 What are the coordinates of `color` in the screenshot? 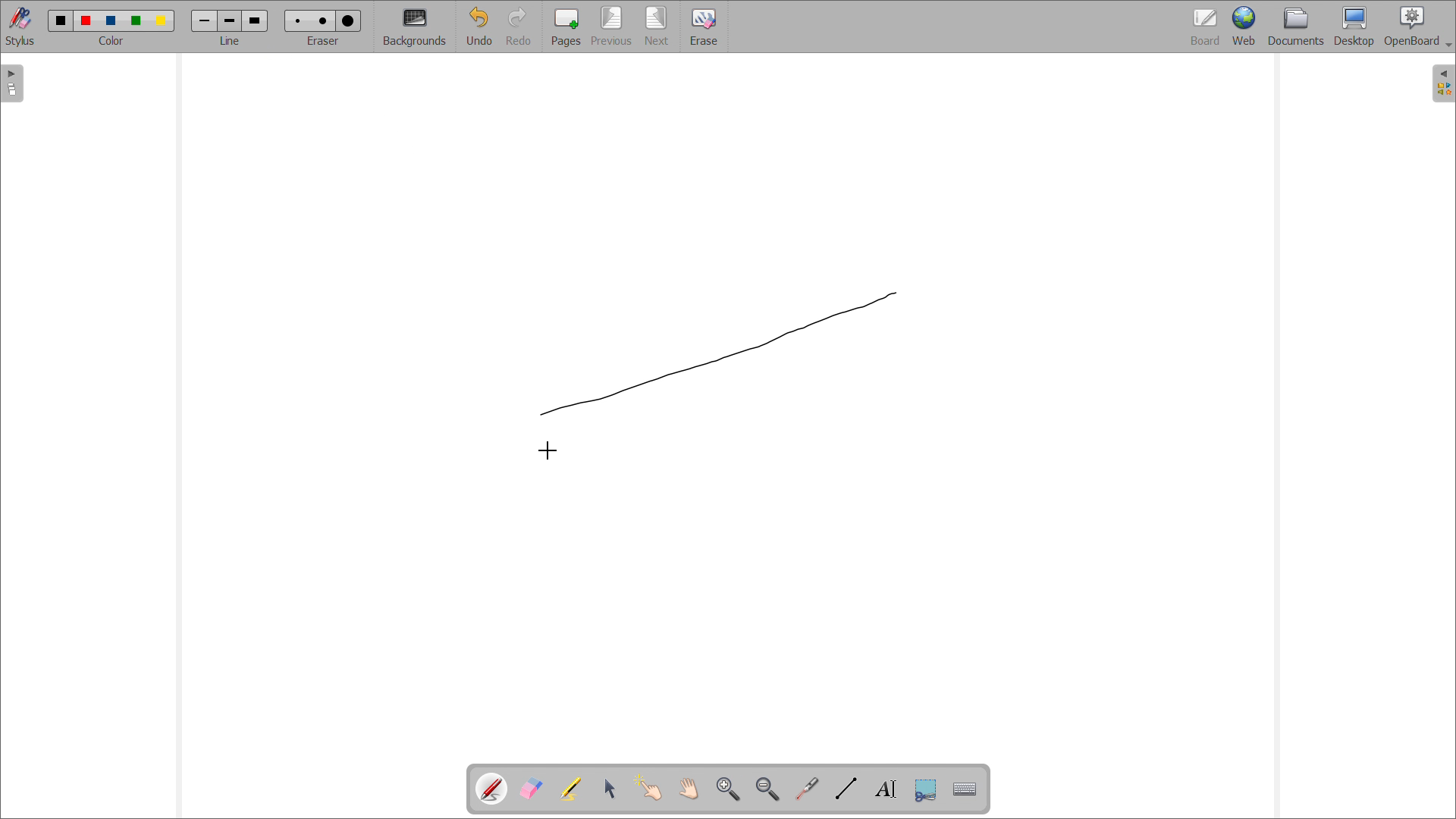 It's located at (61, 20).